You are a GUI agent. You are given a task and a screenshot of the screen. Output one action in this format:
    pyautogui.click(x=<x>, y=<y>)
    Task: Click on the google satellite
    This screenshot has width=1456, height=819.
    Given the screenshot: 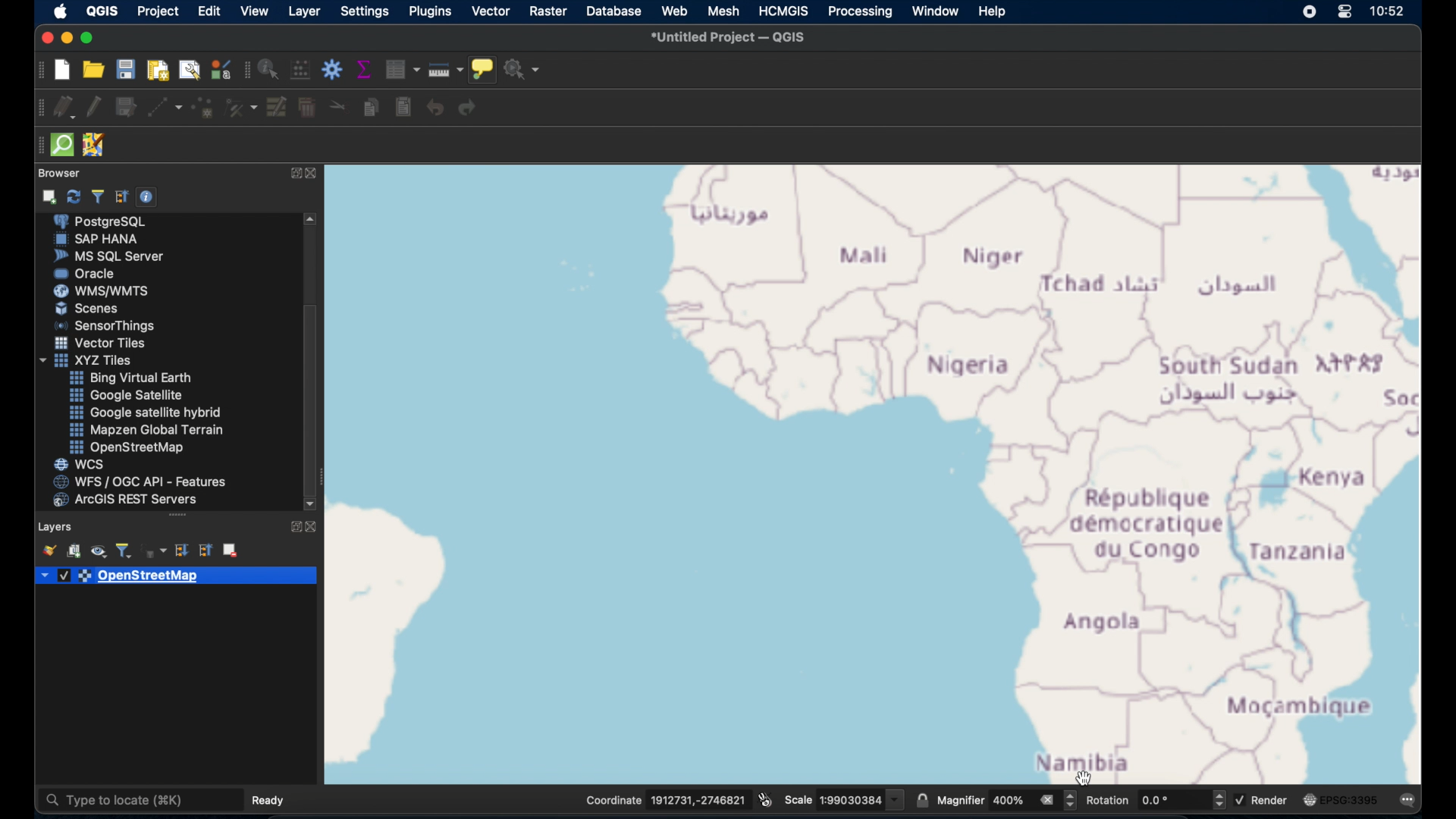 What is the action you would take?
    pyautogui.click(x=130, y=397)
    